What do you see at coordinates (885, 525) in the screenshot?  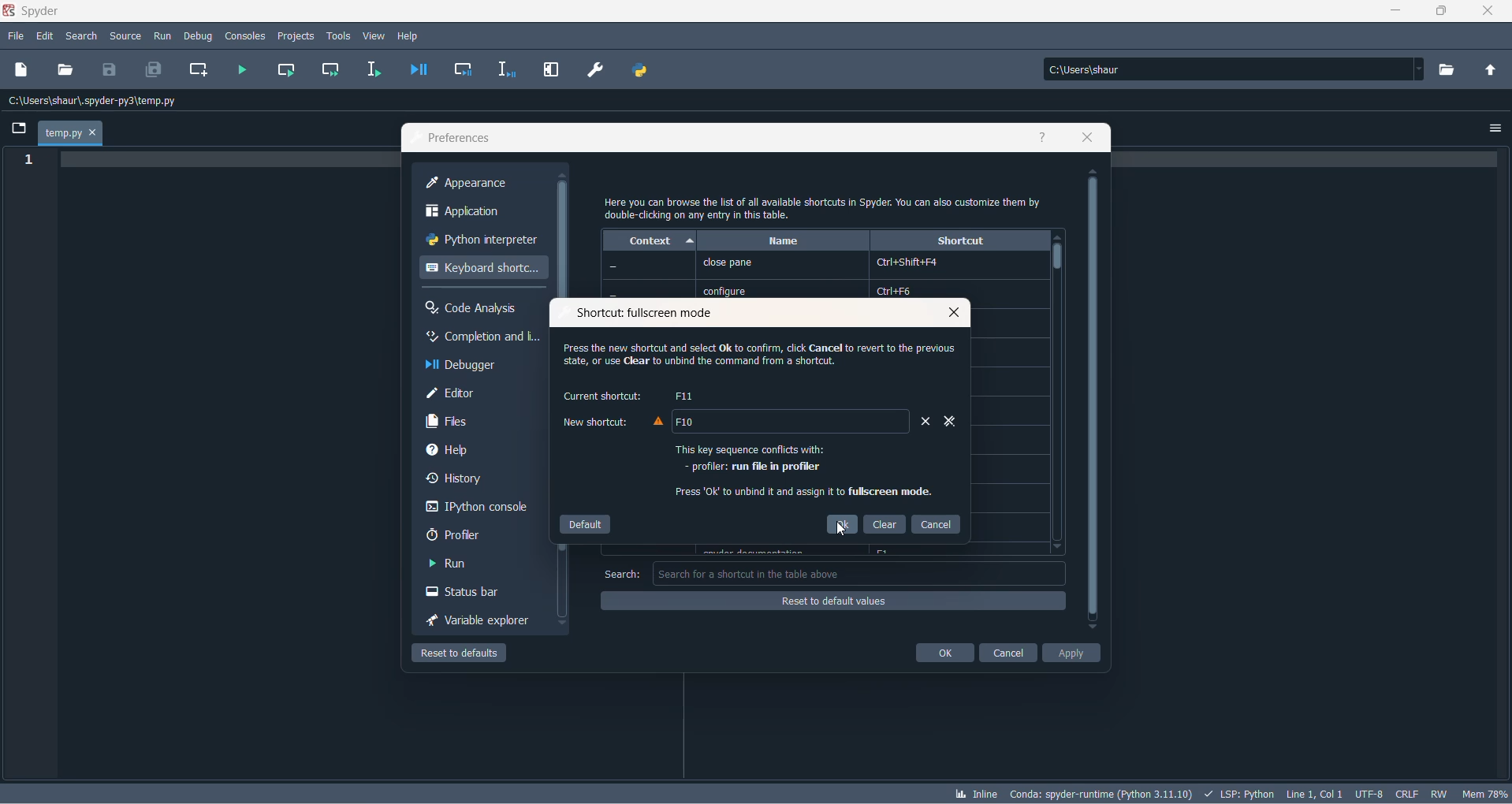 I see `clear` at bounding box center [885, 525].